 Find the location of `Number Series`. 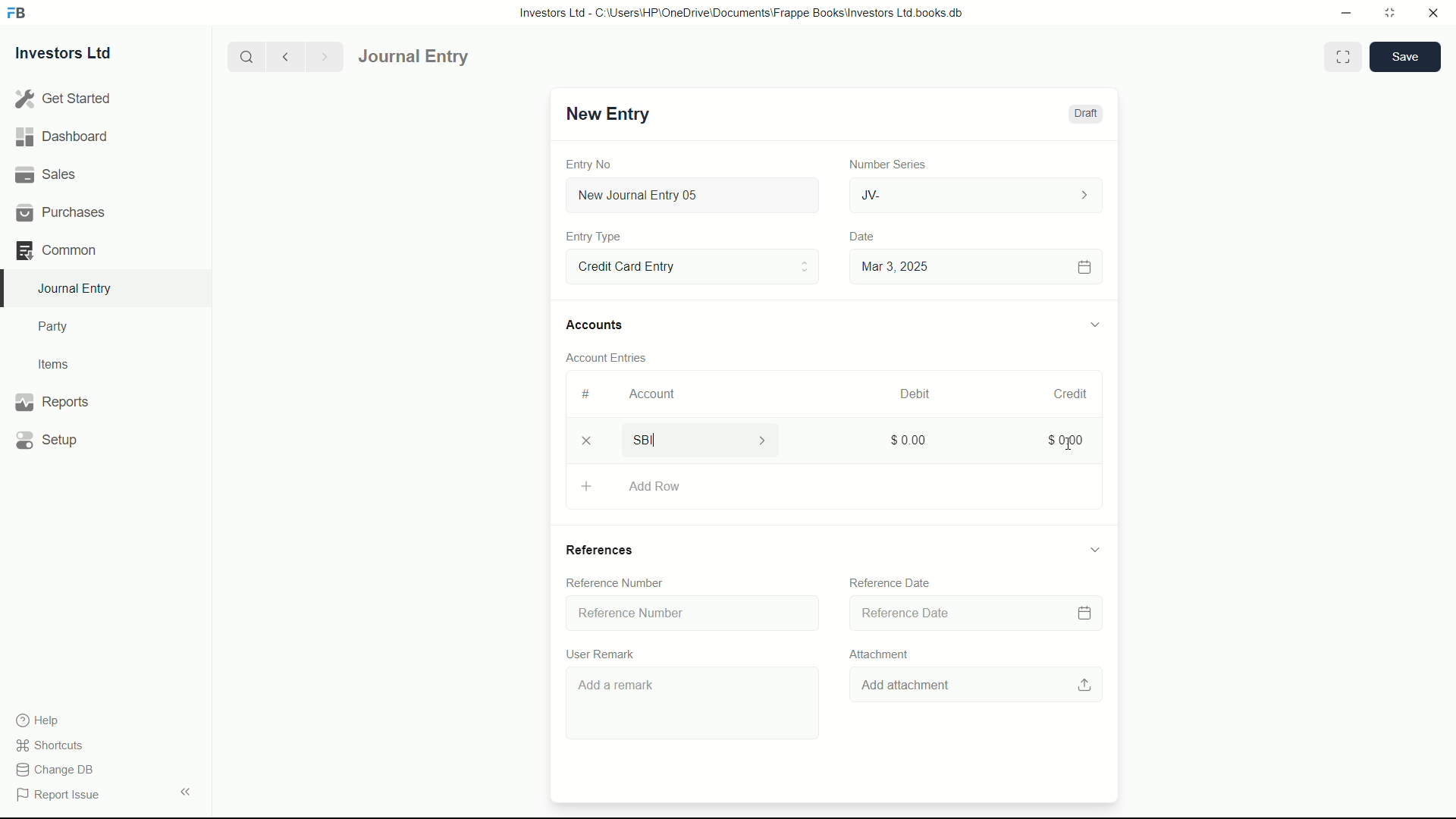

Number Series is located at coordinates (881, 163).